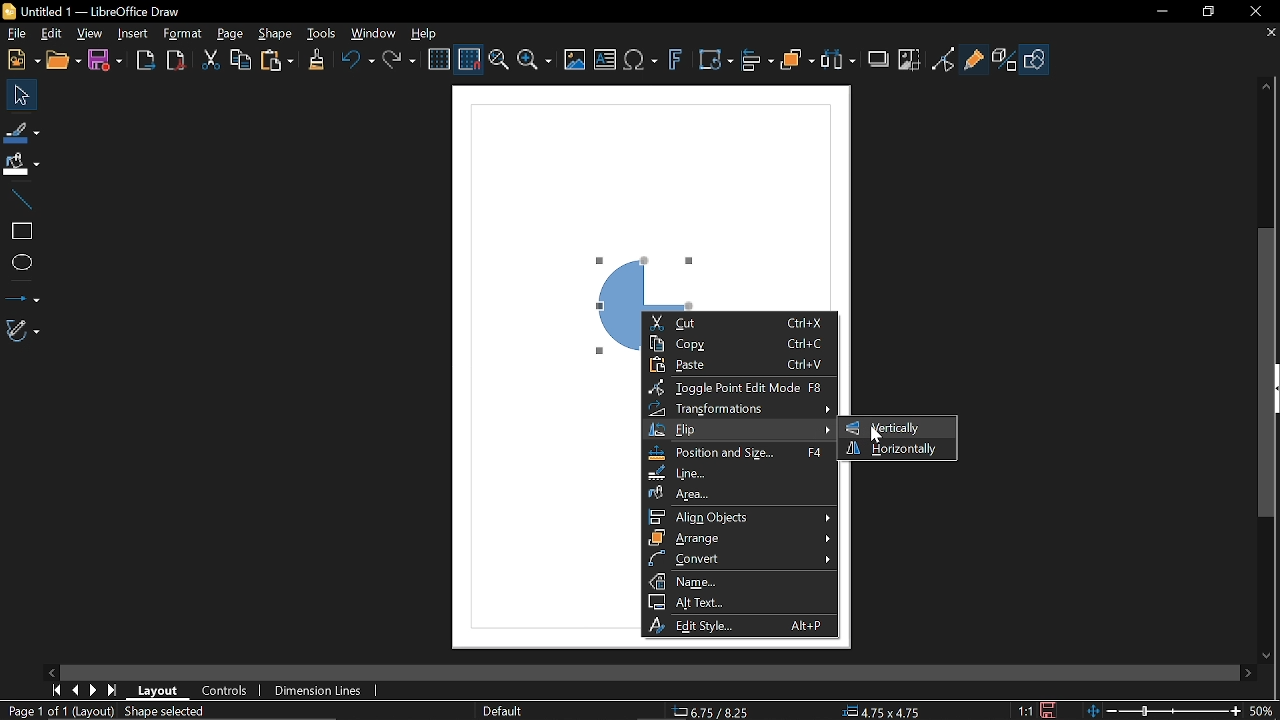 This screenshot has width=1280, height=720. I want to click on Redo, so click(402, 61).